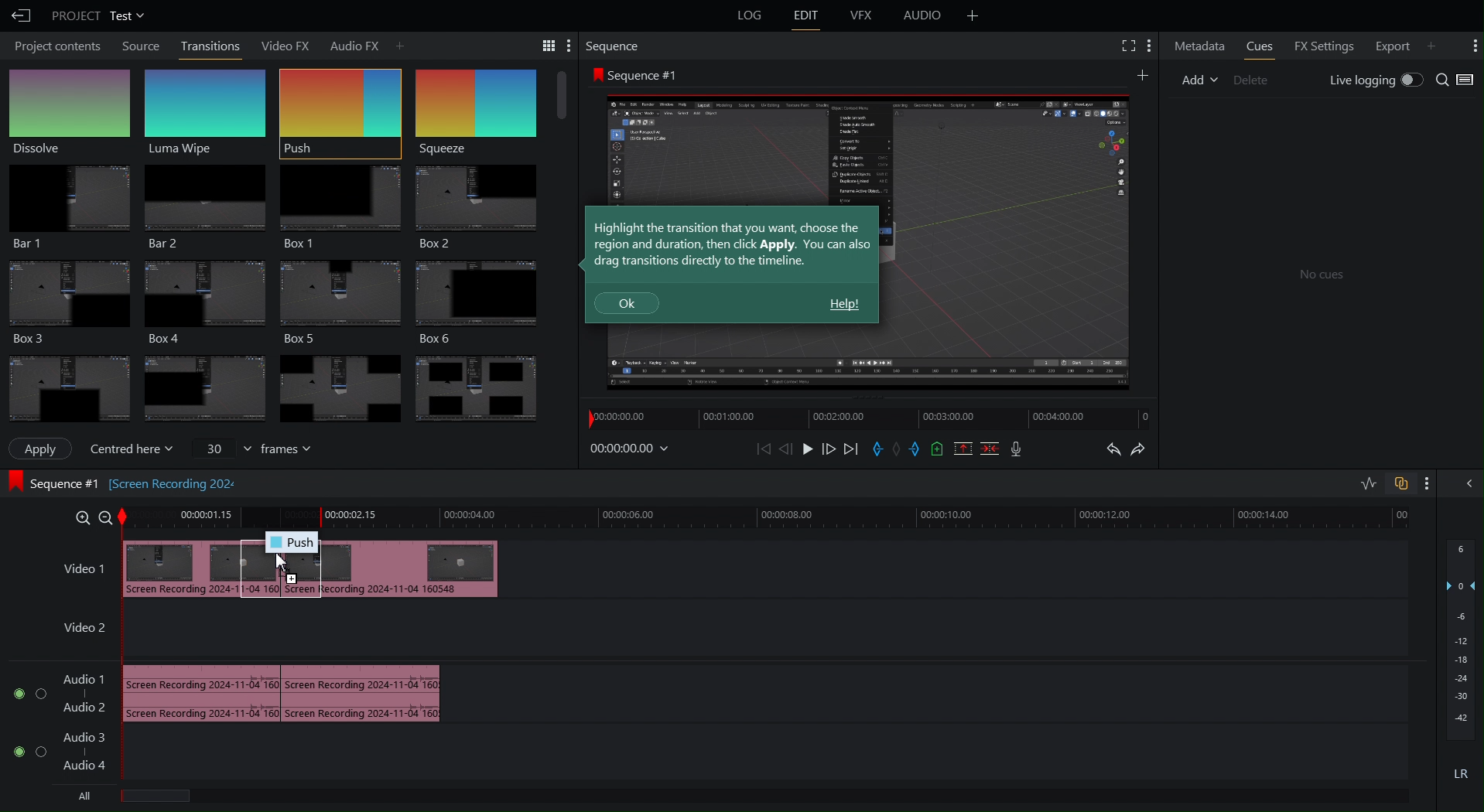 The image size is (1484, 812). I want to click on Timeline, so click(774, 517).